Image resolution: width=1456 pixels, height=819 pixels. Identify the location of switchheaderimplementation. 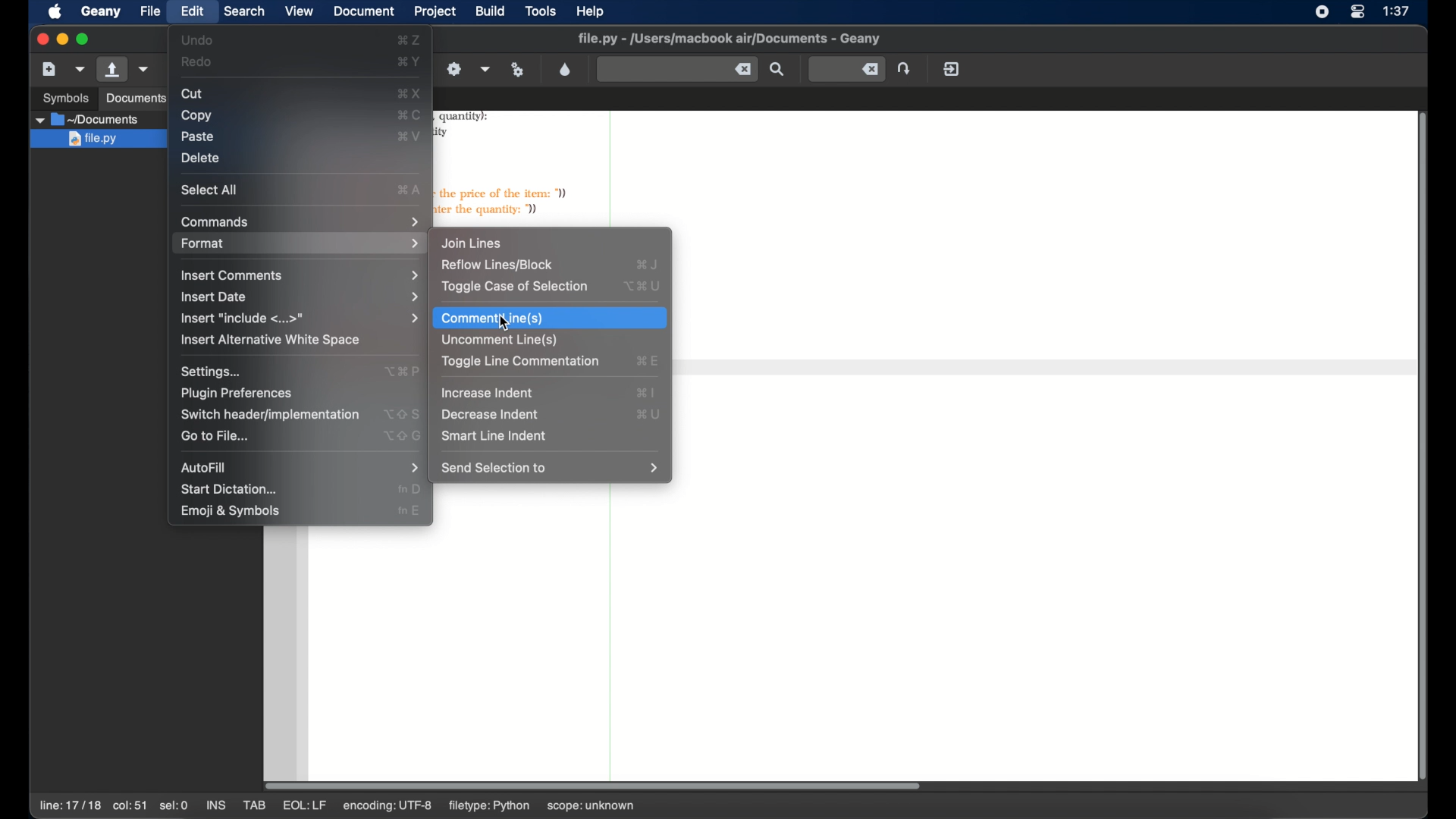
(271, 415).